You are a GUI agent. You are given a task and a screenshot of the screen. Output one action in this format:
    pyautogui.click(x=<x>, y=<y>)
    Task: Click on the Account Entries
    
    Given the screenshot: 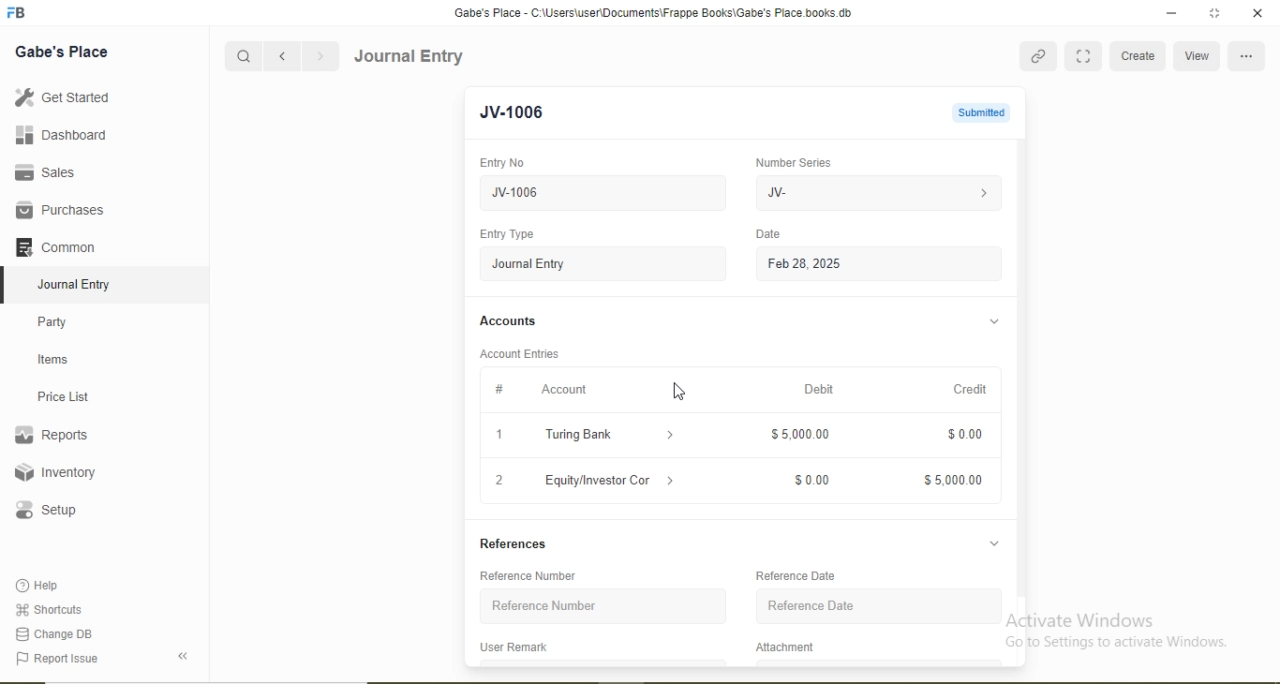 What is the action you would take?
    pyautogui.click(x=518, y=354)
    